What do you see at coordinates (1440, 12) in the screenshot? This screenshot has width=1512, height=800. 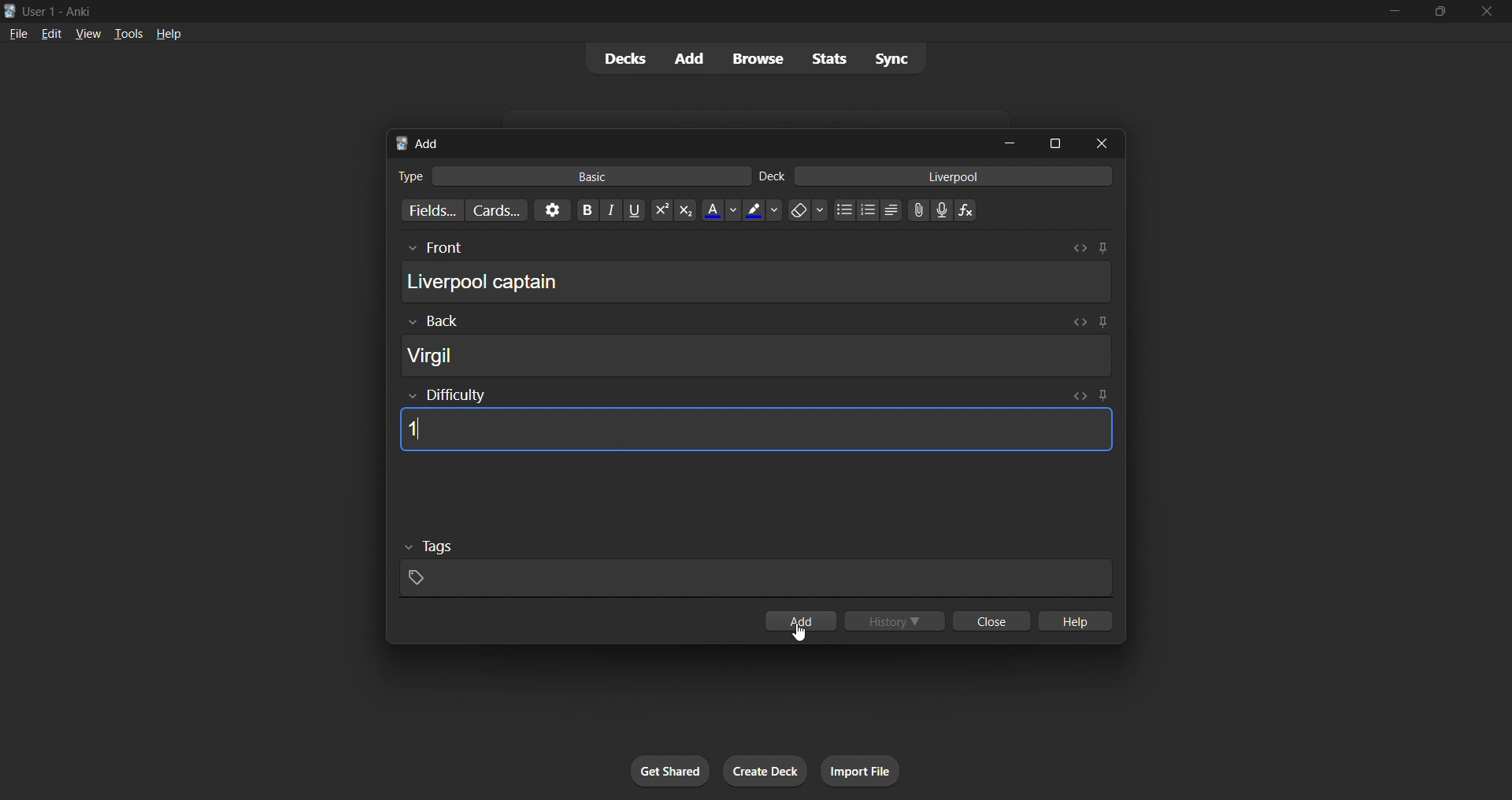 I see `maximize/restore` at bounding box center [1440, 12].